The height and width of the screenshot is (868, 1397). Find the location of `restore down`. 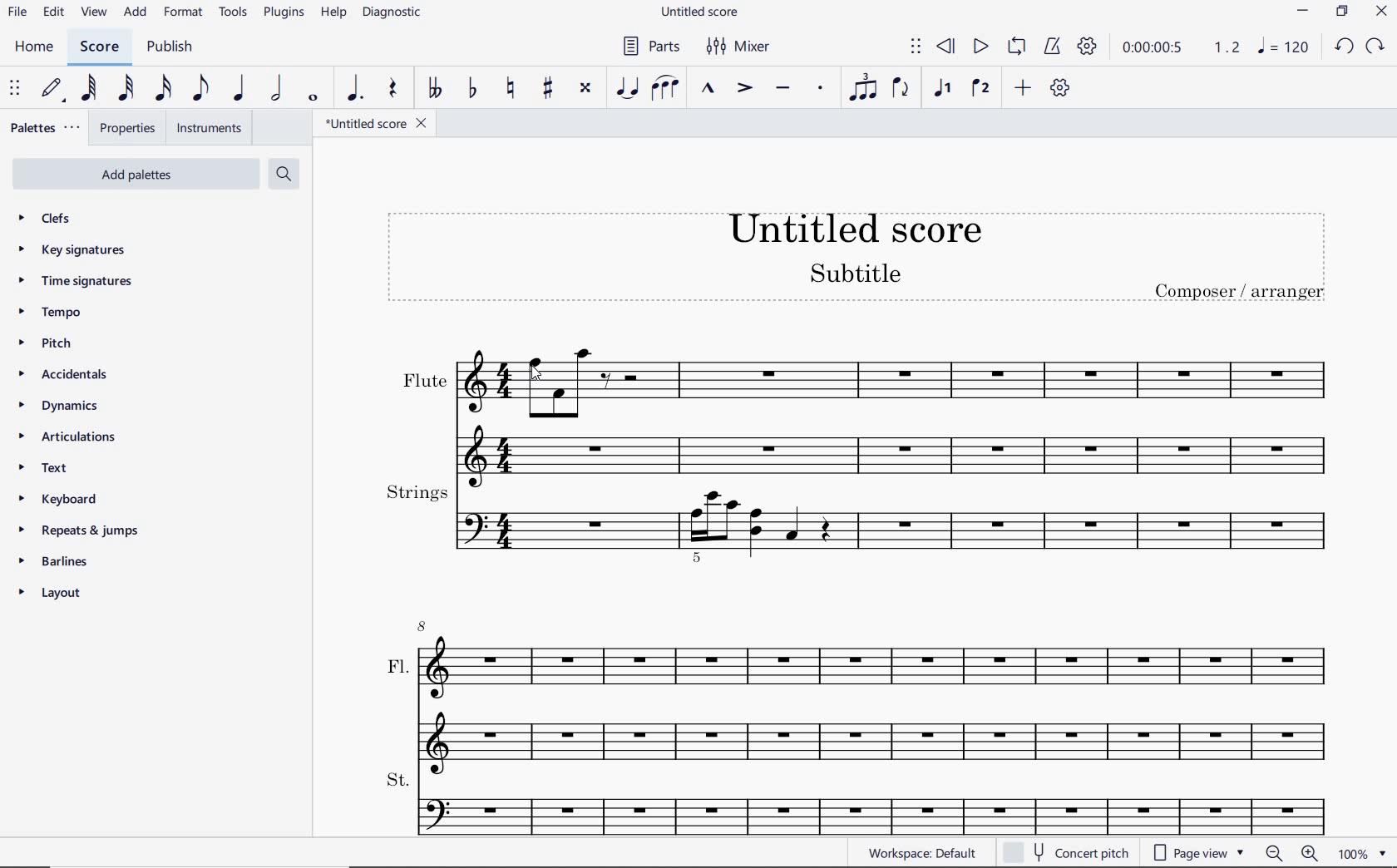

restore down is located at coordinates (1342, 11).